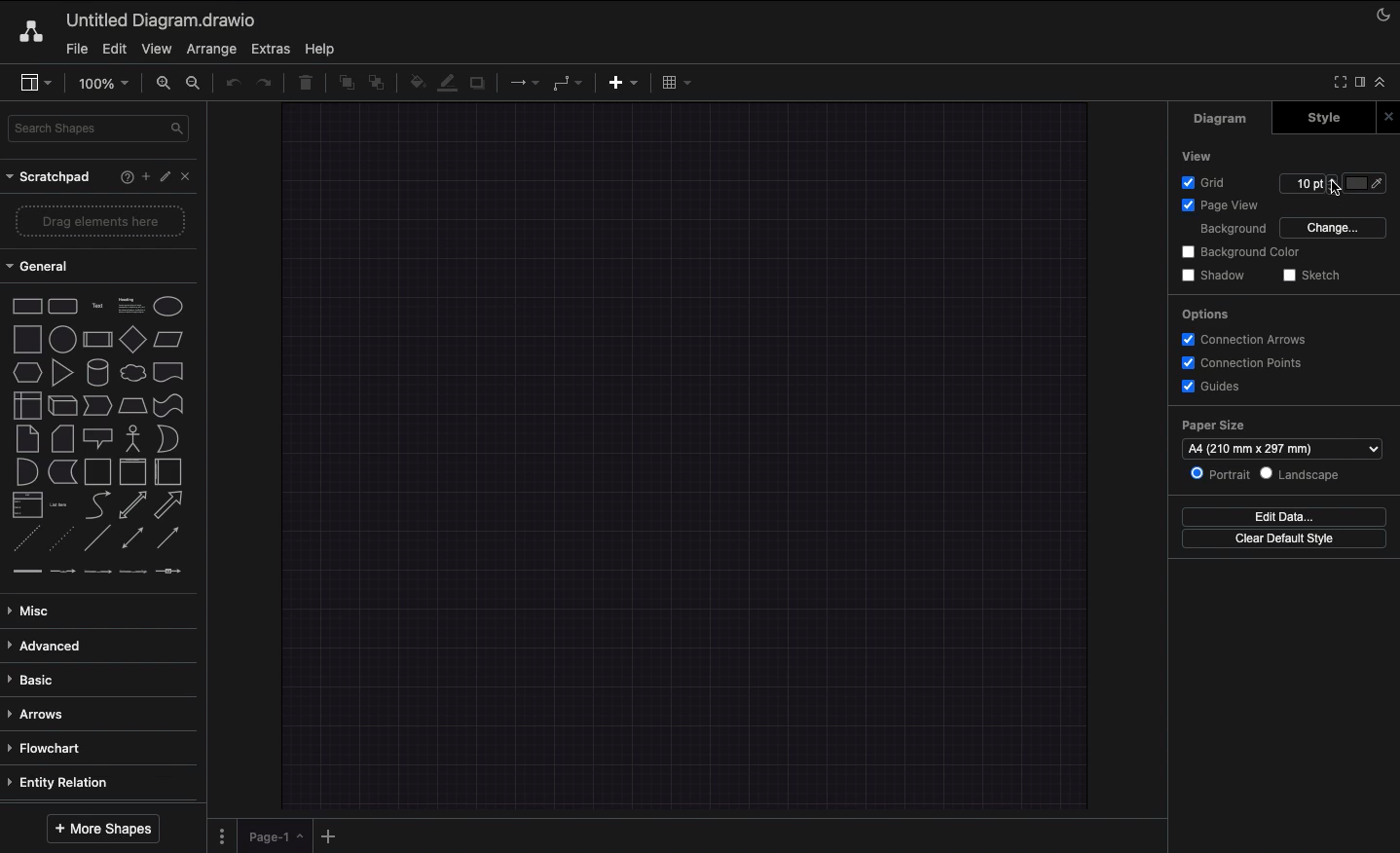 This screenshot has width=1400, height=853. I want to click on Background, so click(1231, 230).